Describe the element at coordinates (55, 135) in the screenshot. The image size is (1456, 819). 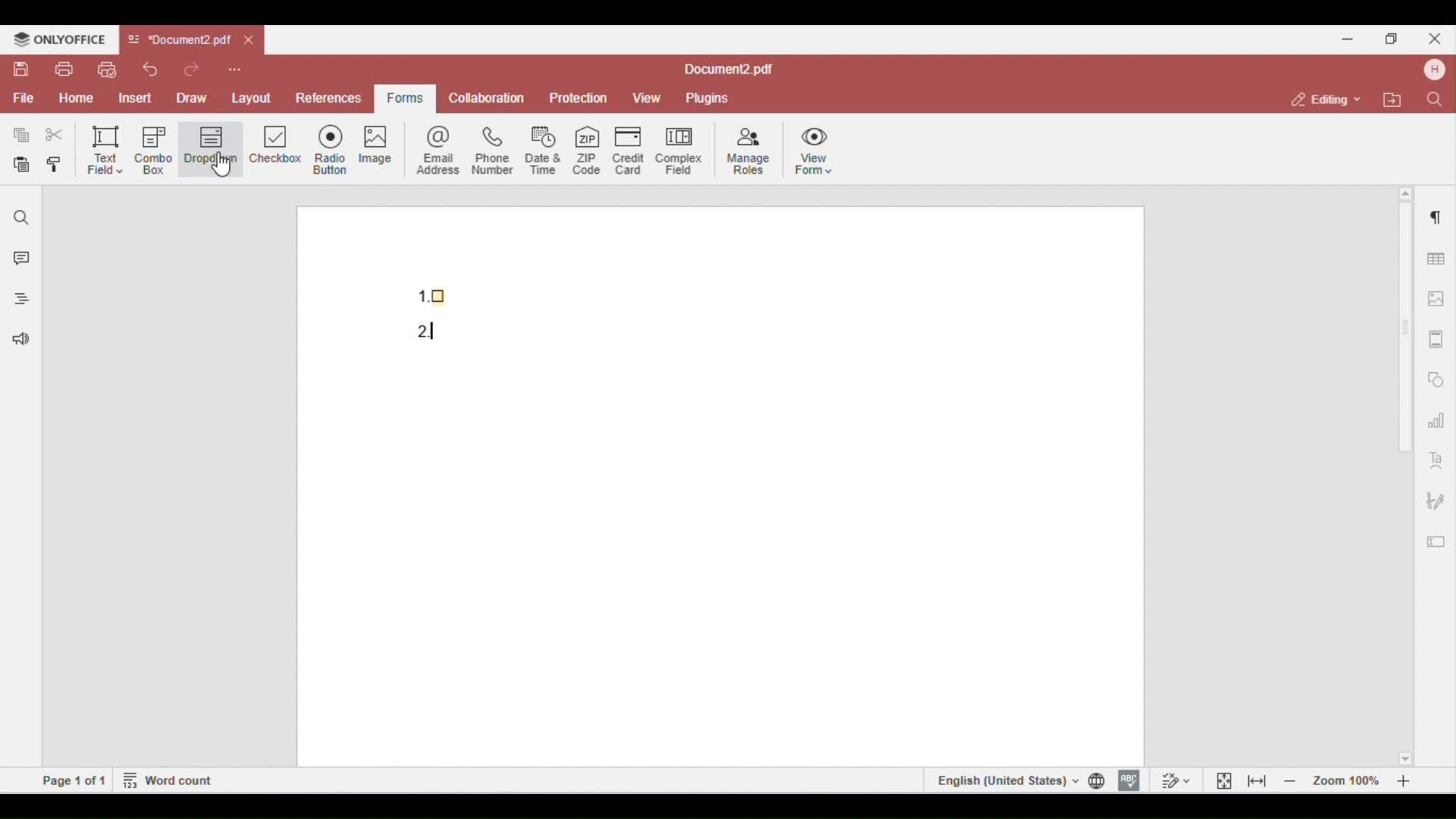
I see `cut` at that location.